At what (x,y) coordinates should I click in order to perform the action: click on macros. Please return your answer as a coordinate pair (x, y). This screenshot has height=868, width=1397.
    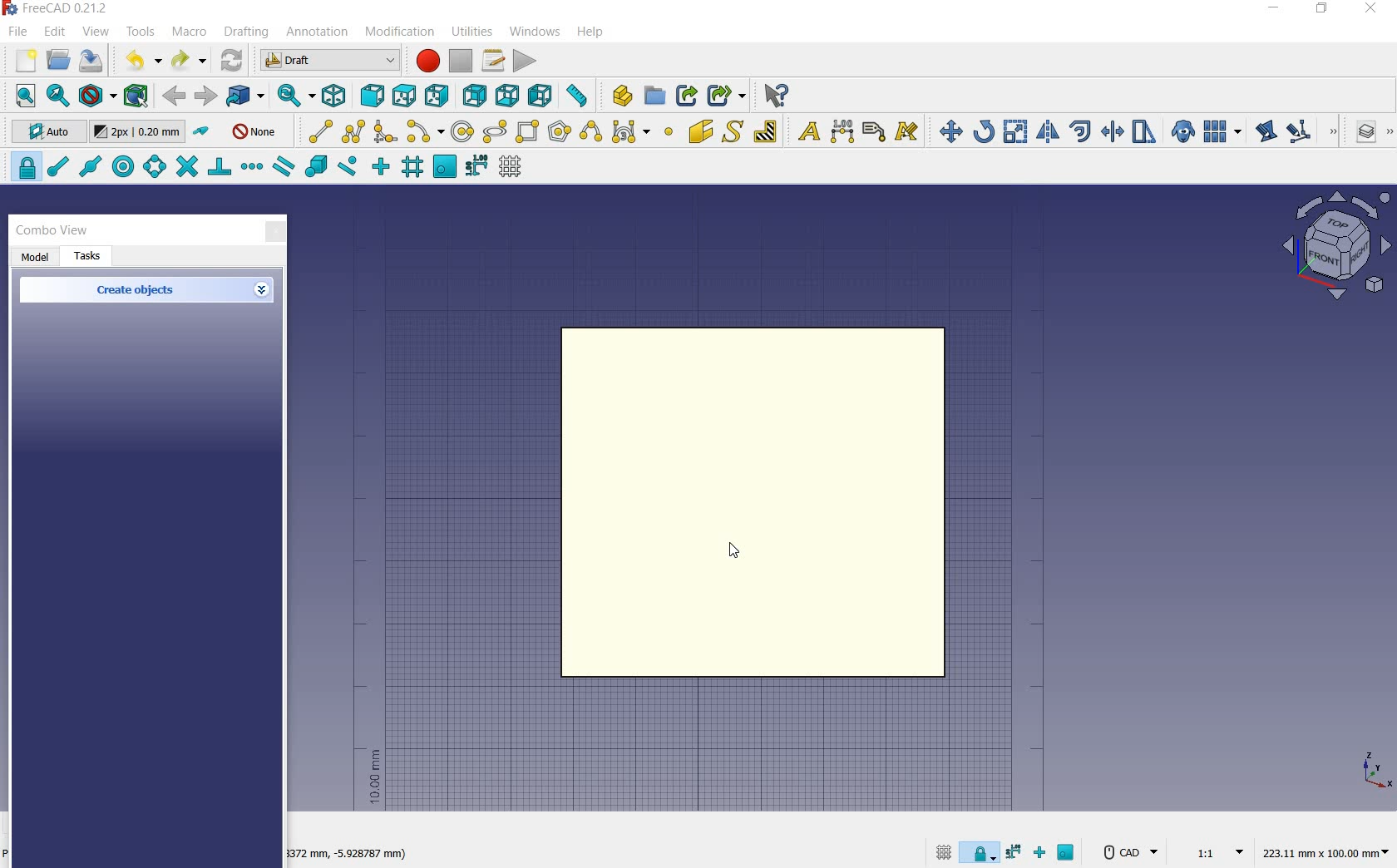
    Looking at the image, I should click on (494, 61).